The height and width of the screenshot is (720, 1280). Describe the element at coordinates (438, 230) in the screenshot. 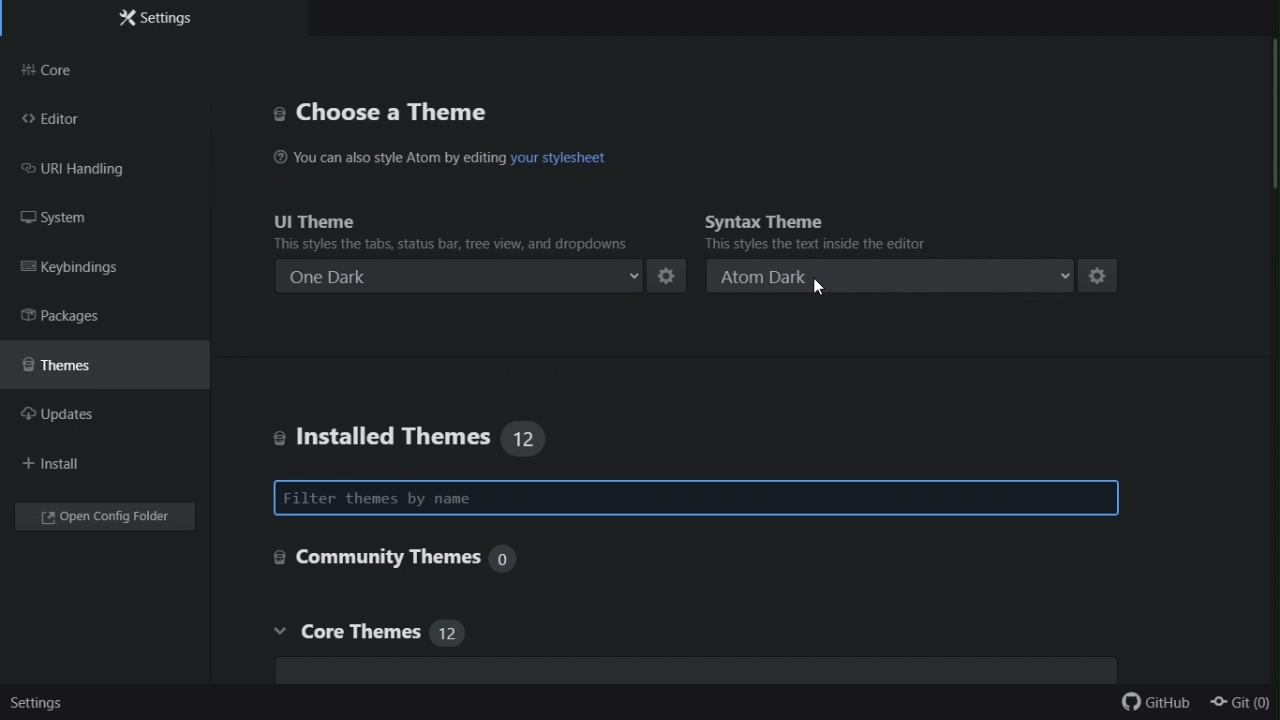

I see `You I theme` at that location.